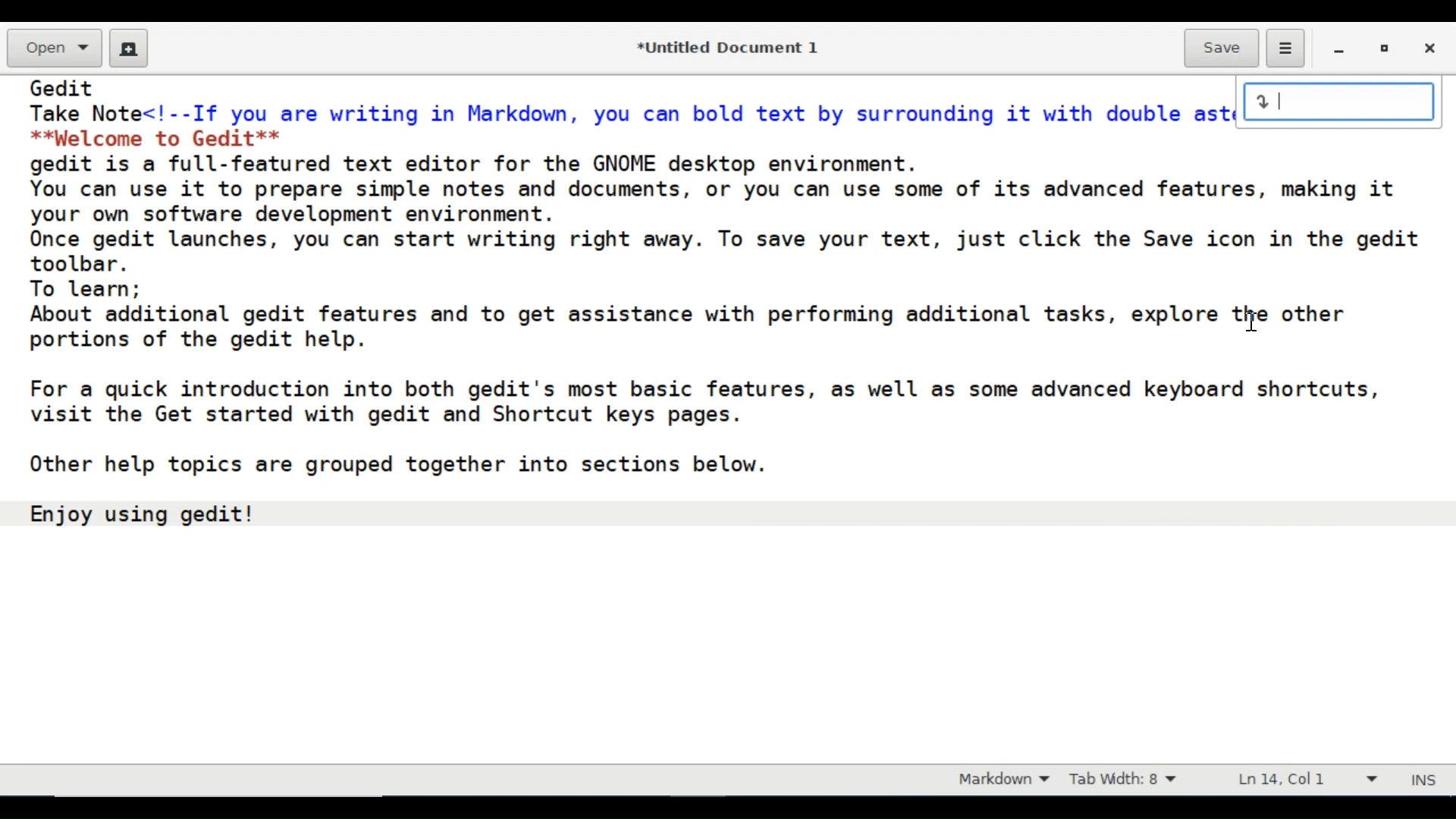  I want to click on *Untitled Document 1, so click(730, 49).